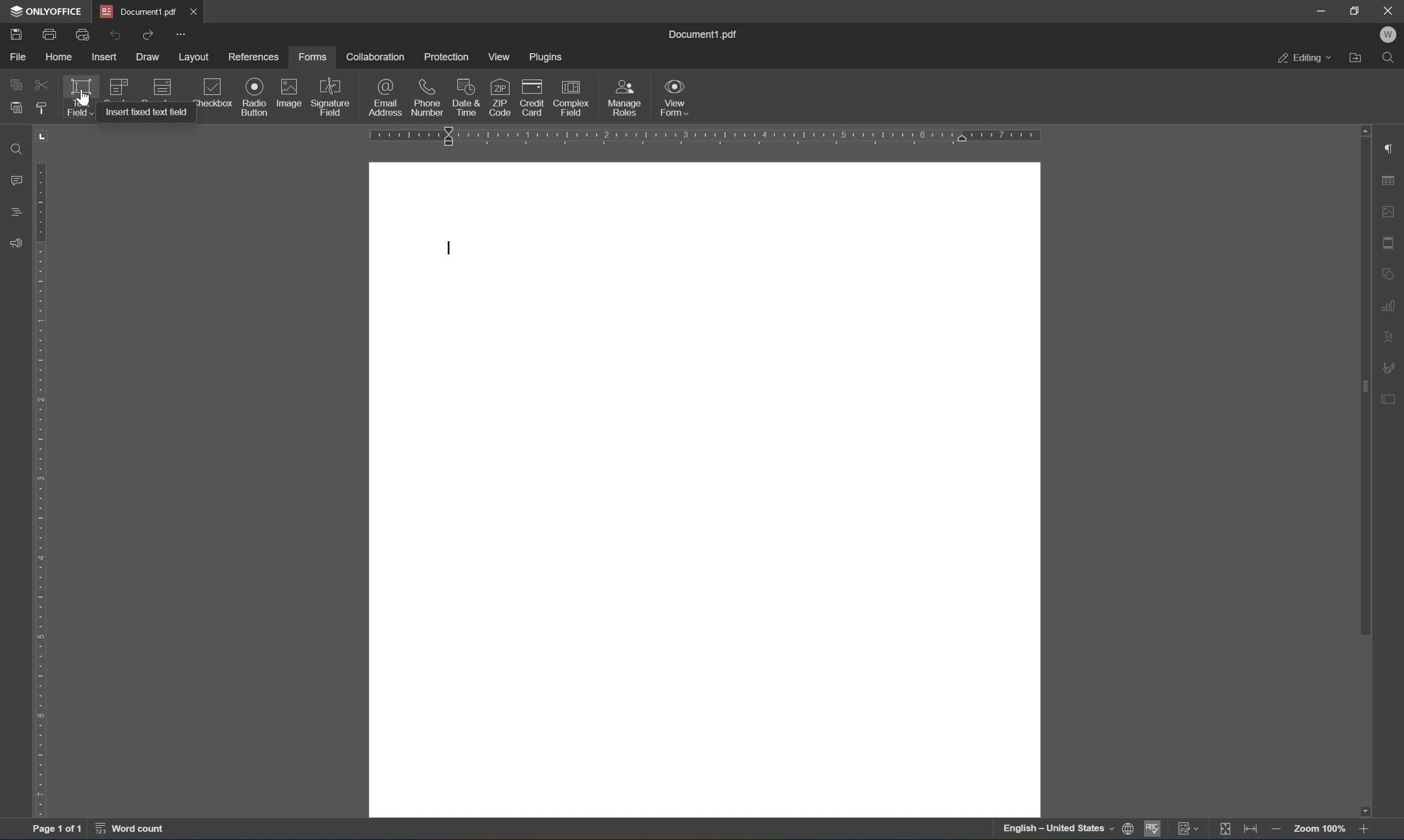  Describe the element at coordinates (215, 91) in the screenshot. I see `checkbox` at that location.